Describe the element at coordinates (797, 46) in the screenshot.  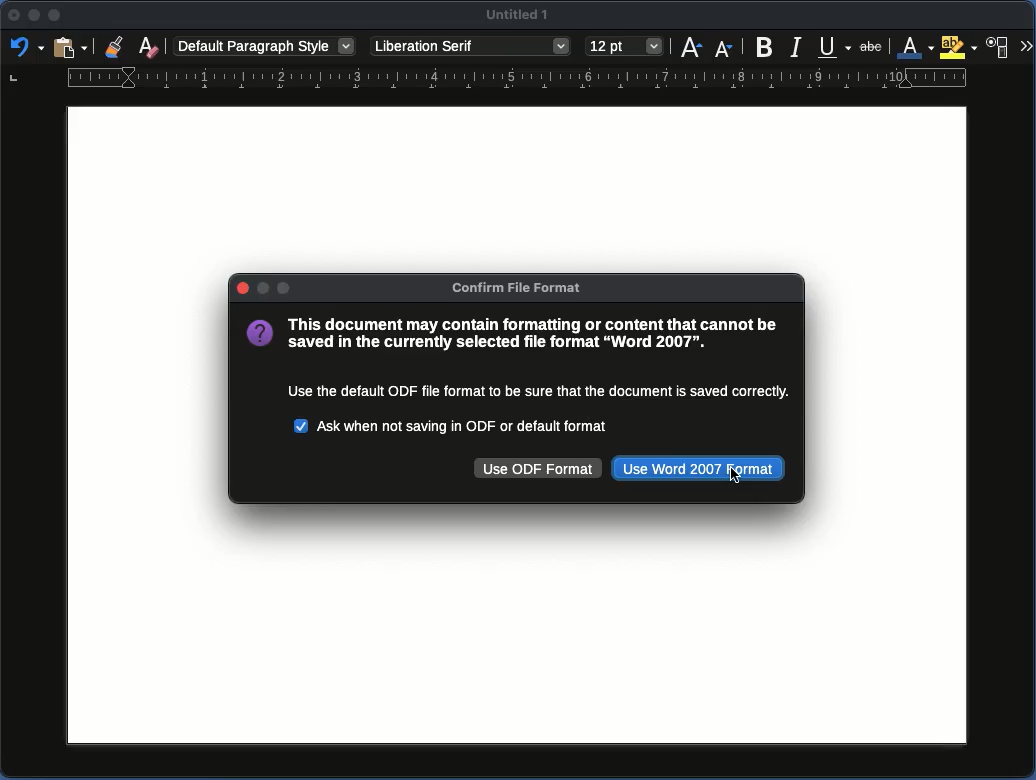
I see `Italics` at that location.